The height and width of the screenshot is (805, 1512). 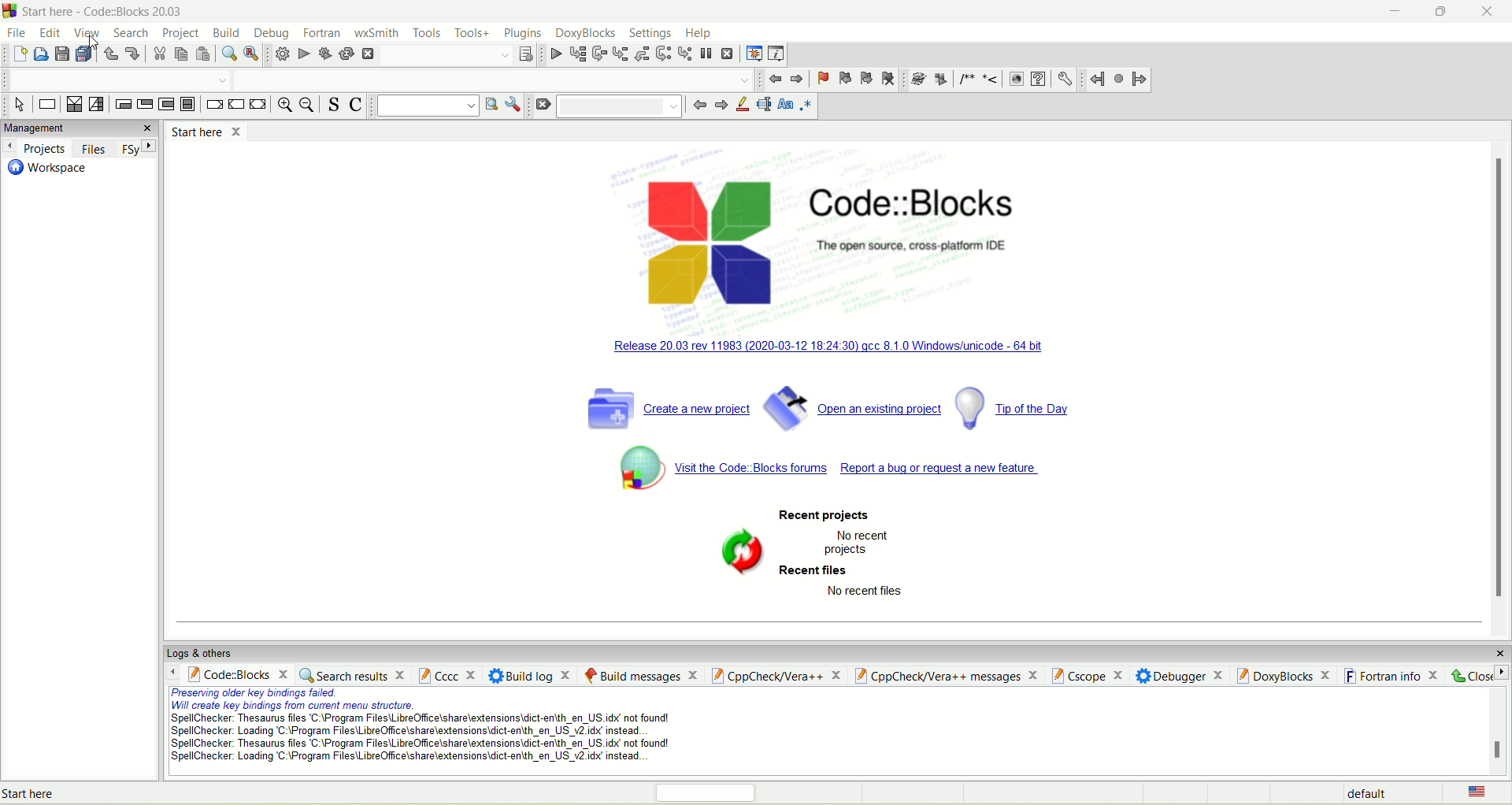 What do you see at coordinates (852, 406) in the screenshot?
I see `open and existing project` at bounding box center [852, 406].